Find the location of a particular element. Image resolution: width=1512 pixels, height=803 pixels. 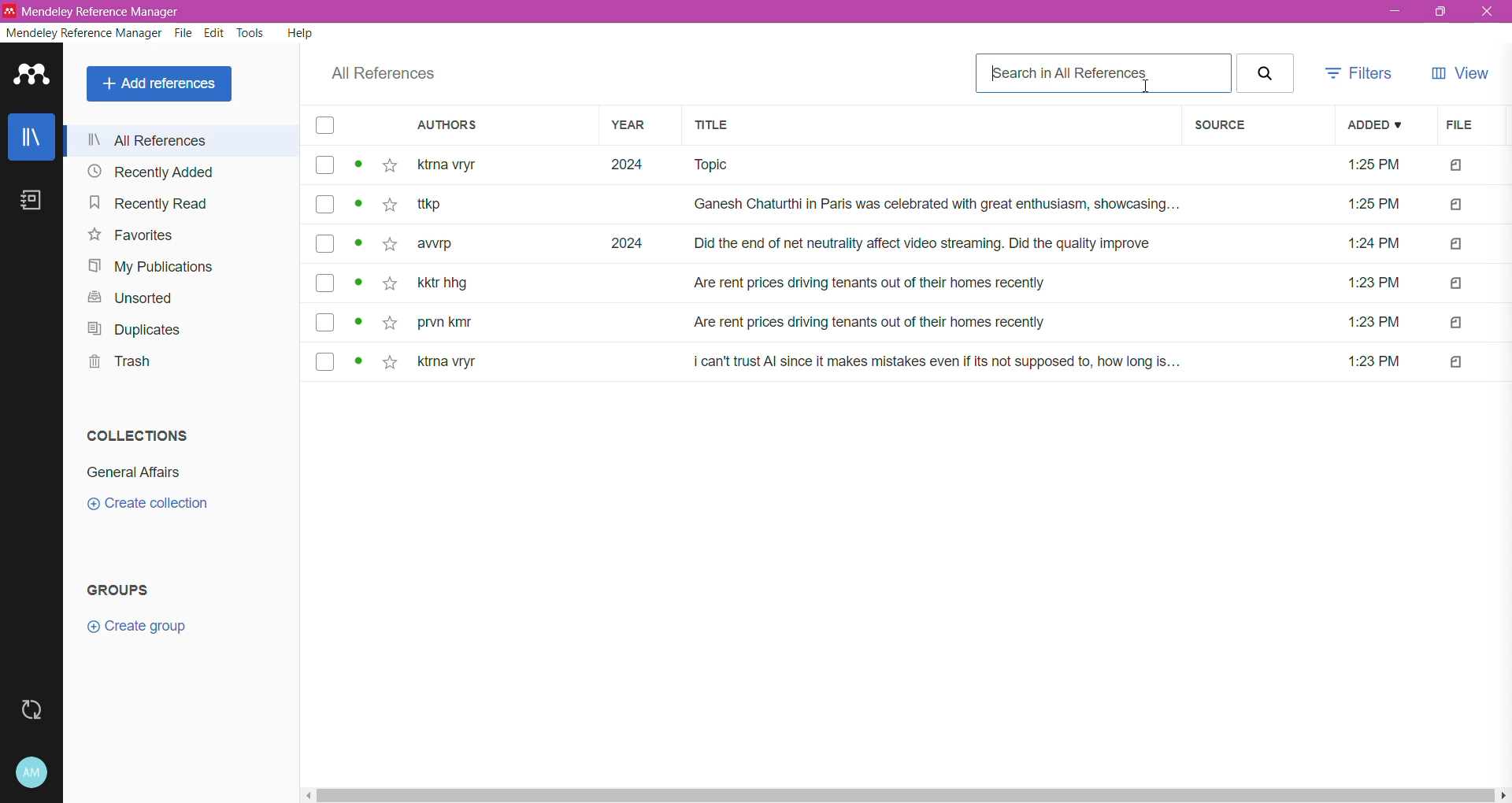

Favorites is located at coordinates (128, 237).